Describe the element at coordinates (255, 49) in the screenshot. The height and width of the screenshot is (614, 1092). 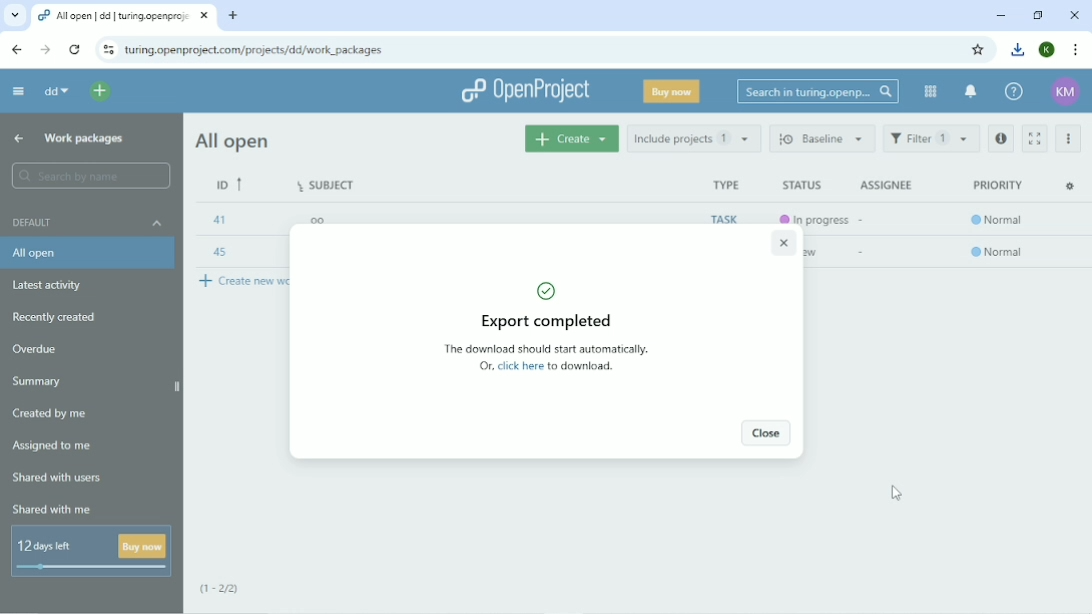
I see `Site` at that location.